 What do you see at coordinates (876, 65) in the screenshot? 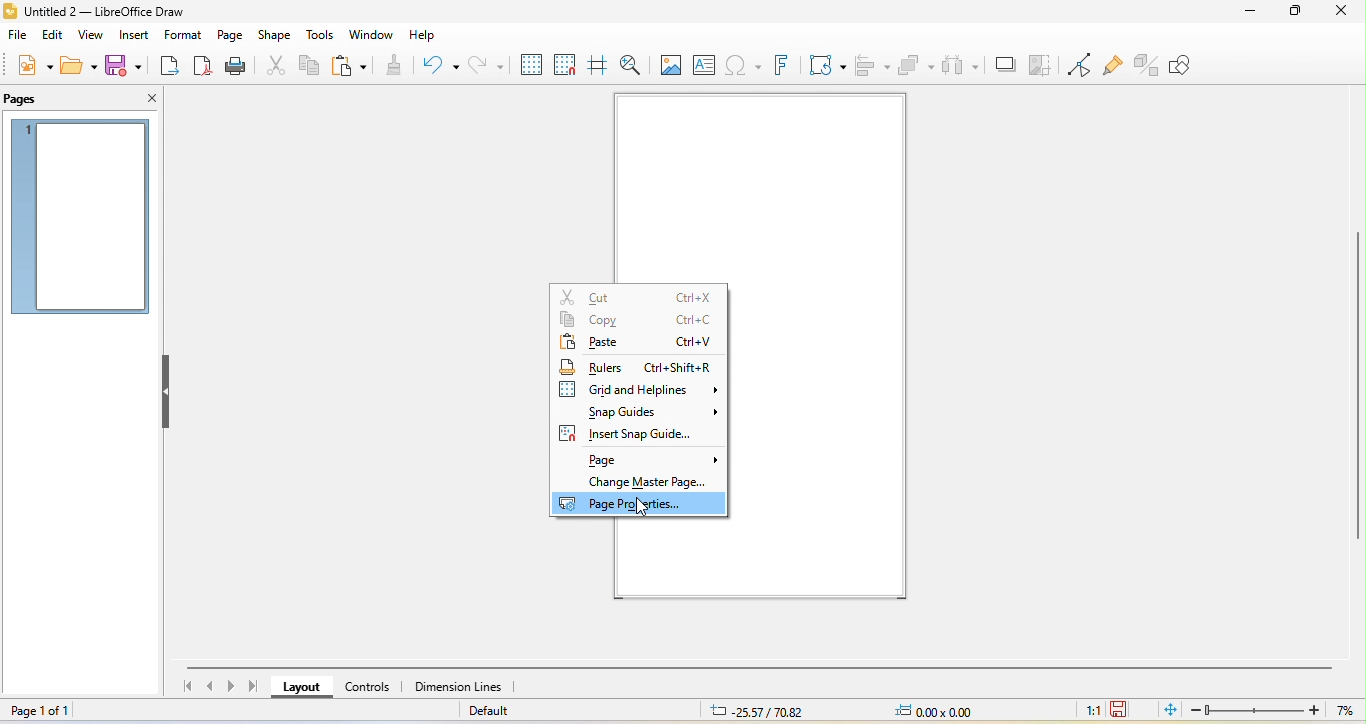
I see `align object` at bounding box center [876, 65].